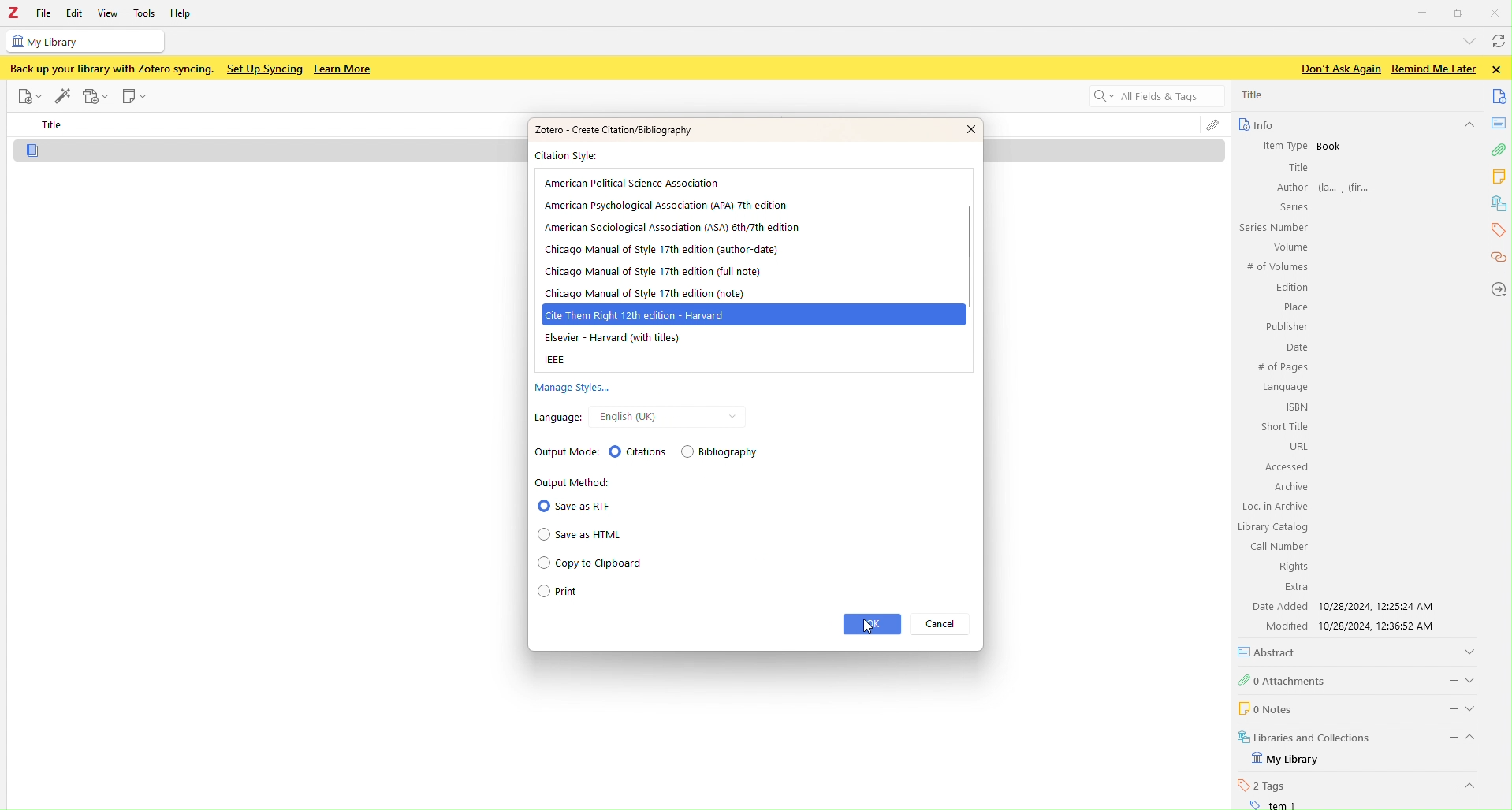 The width and height of the screenshot is (1512, 810). Describe the element at coordinates (84, 41) in the screenshot. I see `My Library` at that location.